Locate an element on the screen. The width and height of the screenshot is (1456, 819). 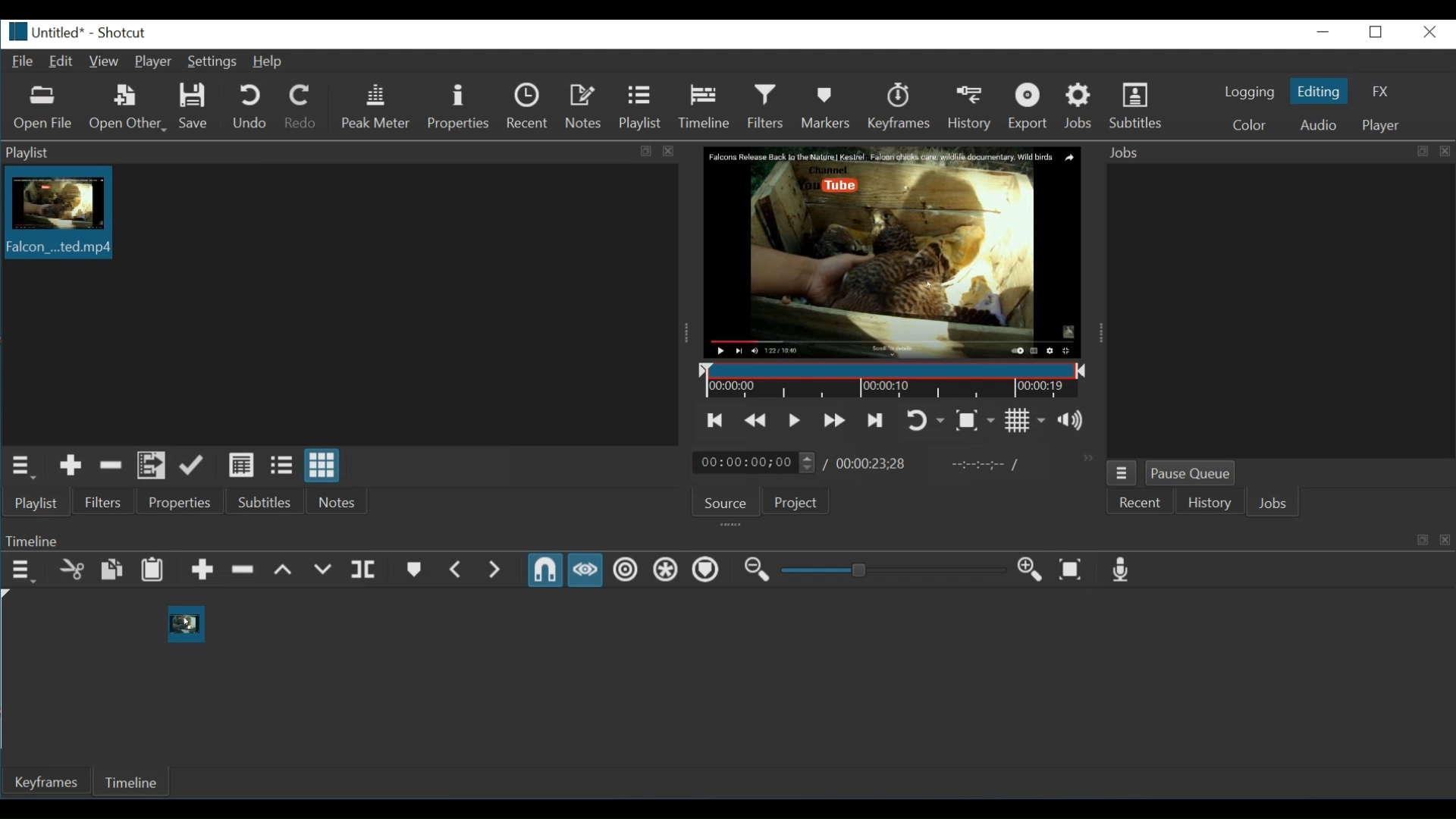
Recent is located at coordinates (1138, 504).